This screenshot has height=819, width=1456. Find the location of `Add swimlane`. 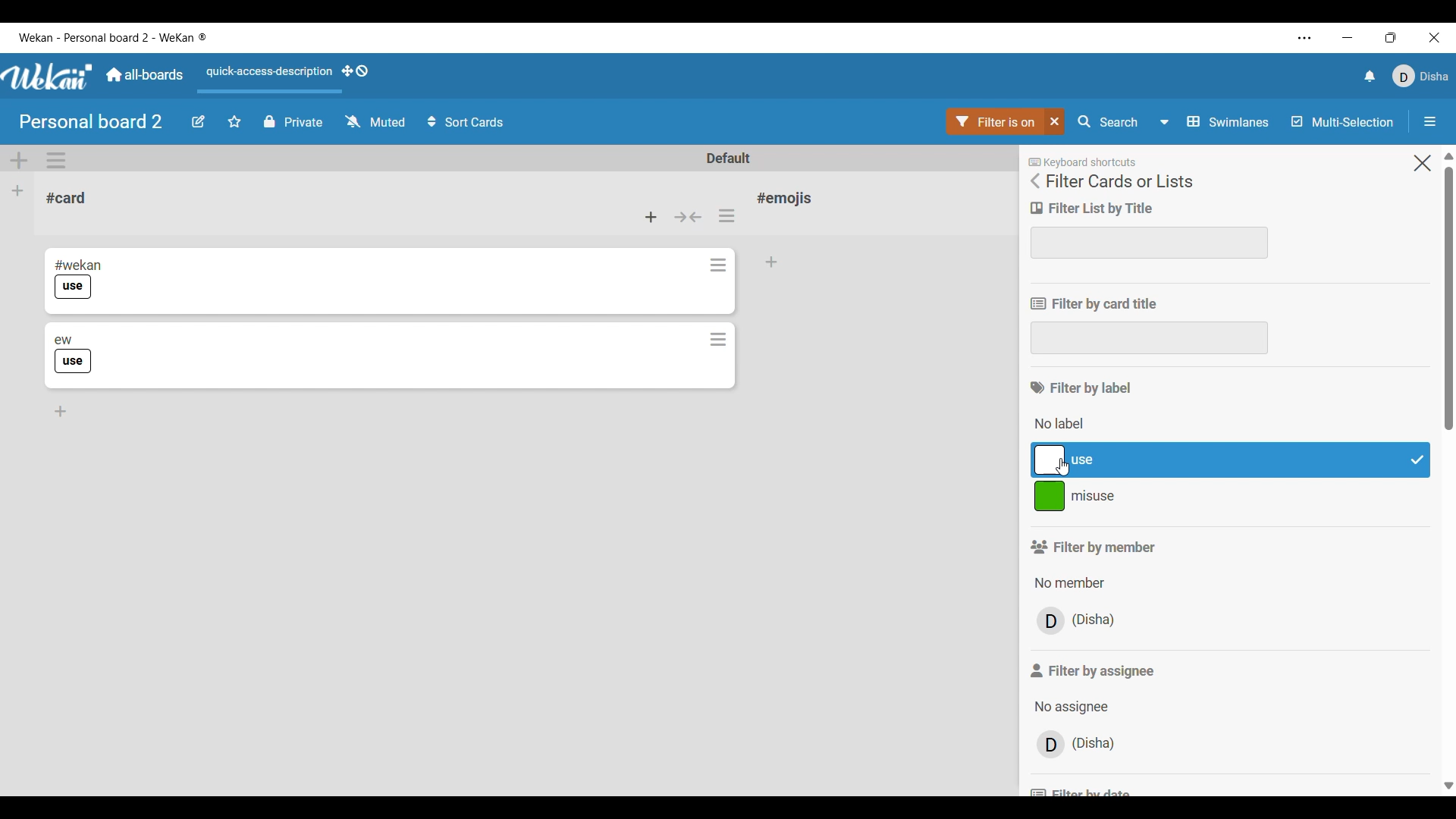

Add swimlane is located at coordinates (19, 161).